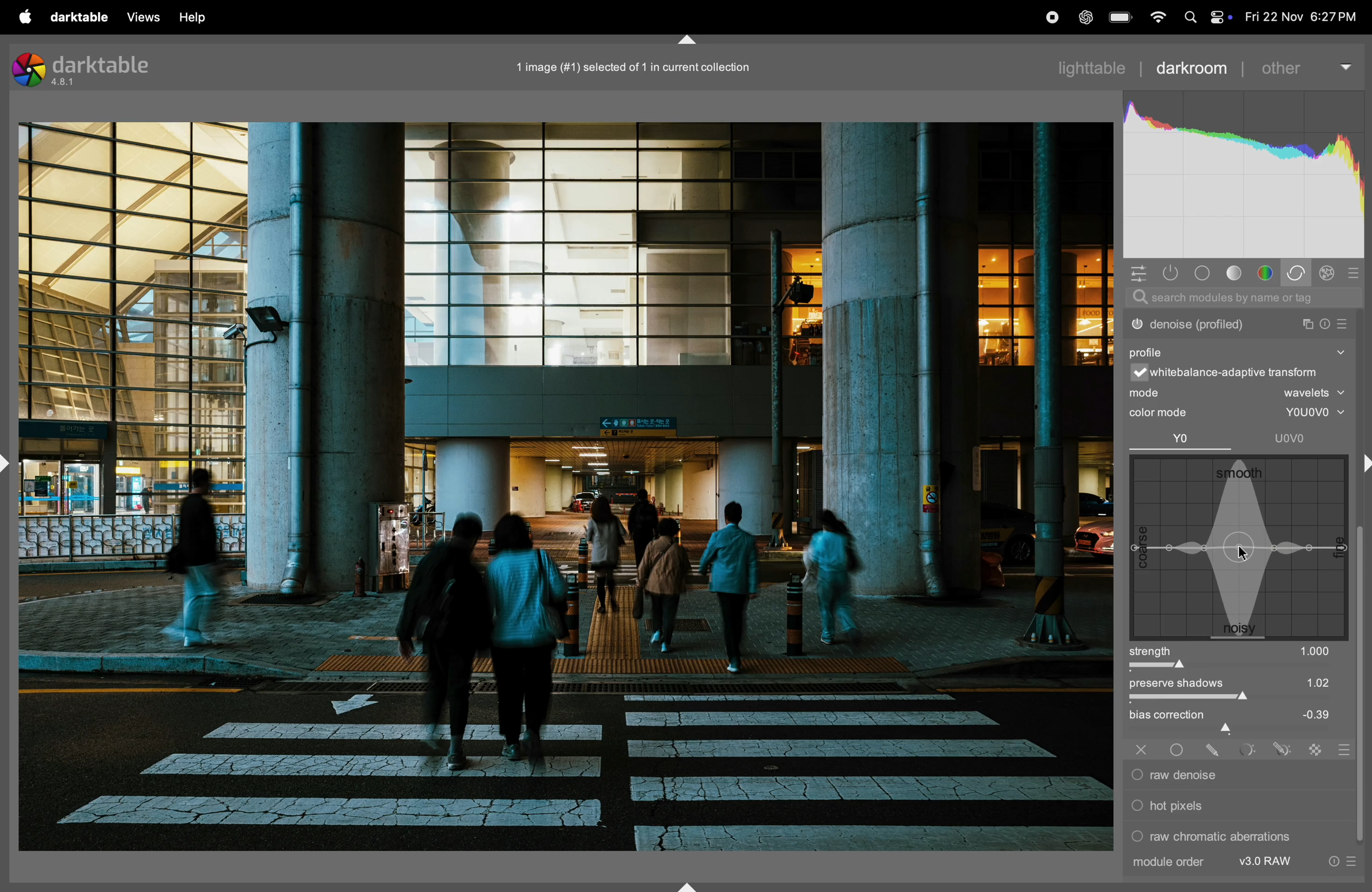  What do you see at coordinates (1233, 776) in the screenshot?
I see `raw denoise` at bounding box center [1233, 776].